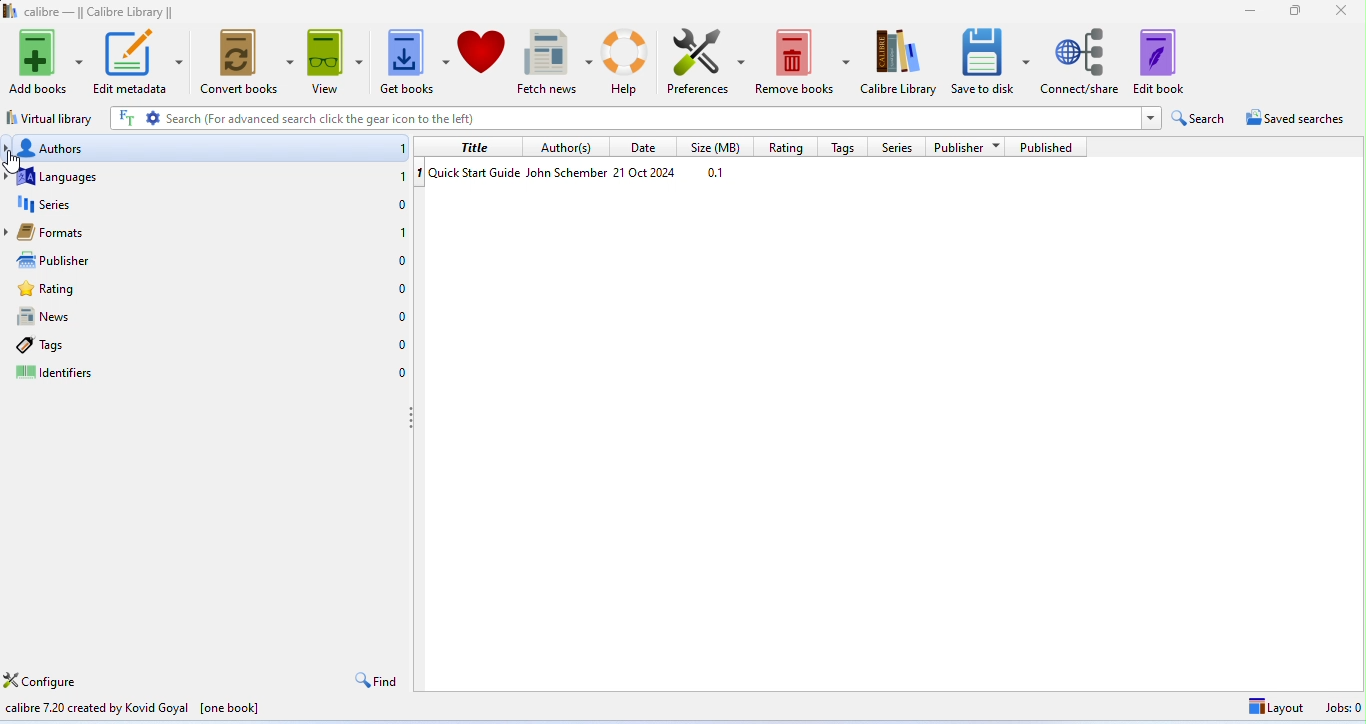  Describe the element at coordinates (714, 148) in the screenshot. I see `size` at that location.